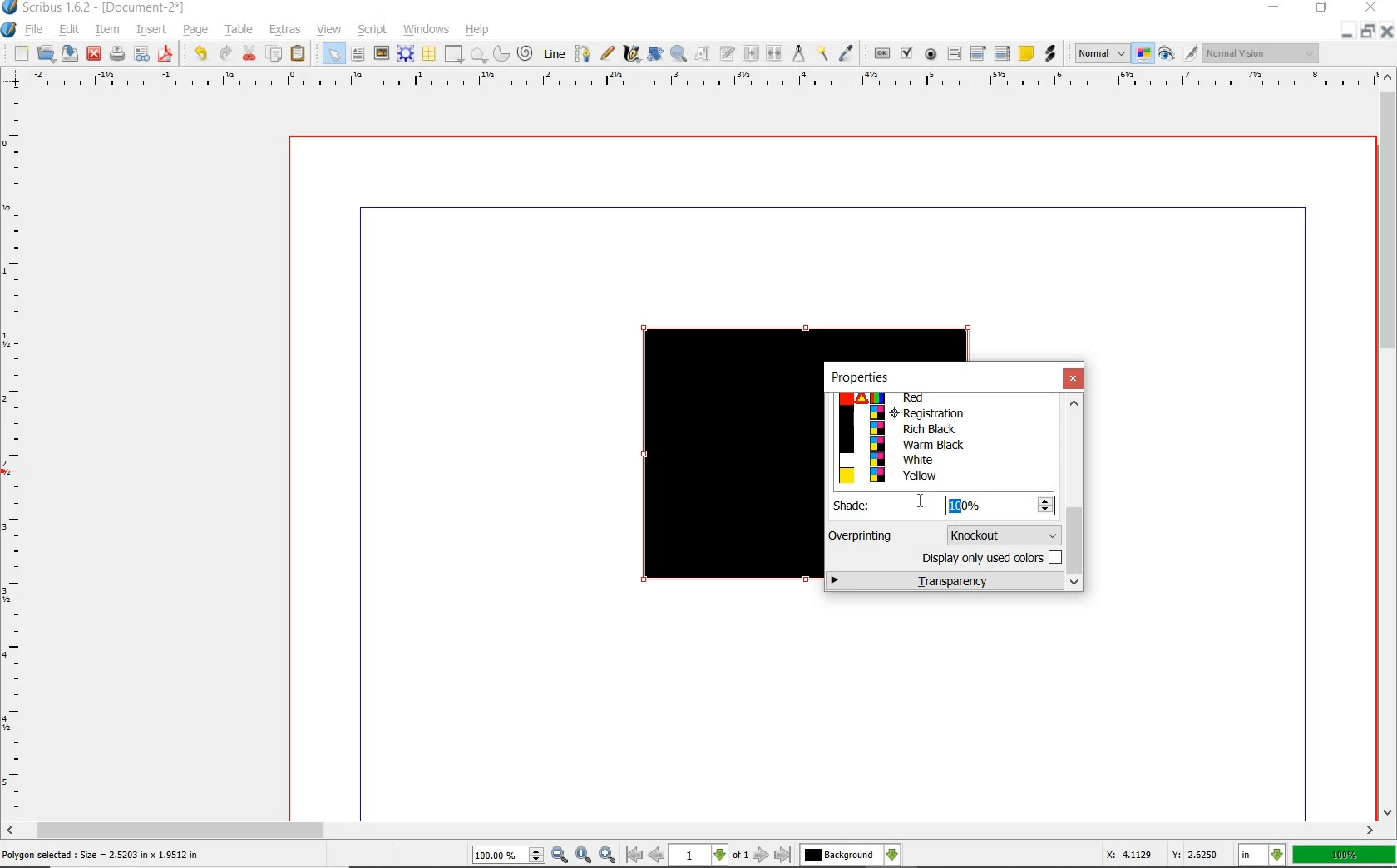  What do you see at coordinates (22, 53) in the screenshot?
I see `new` at bounding box center [22, 53].